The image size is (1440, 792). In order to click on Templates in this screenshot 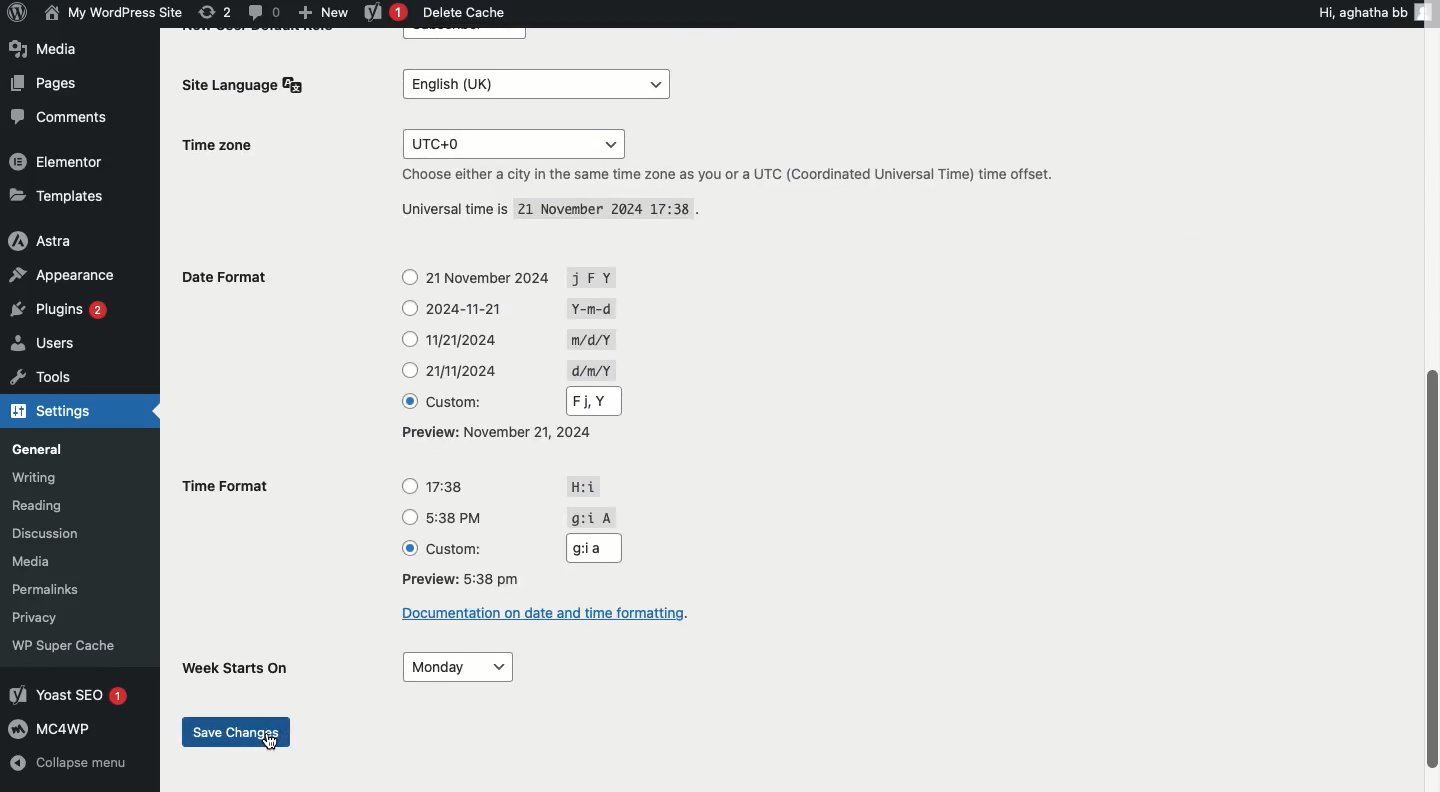, I will do `click(54, 197)`.